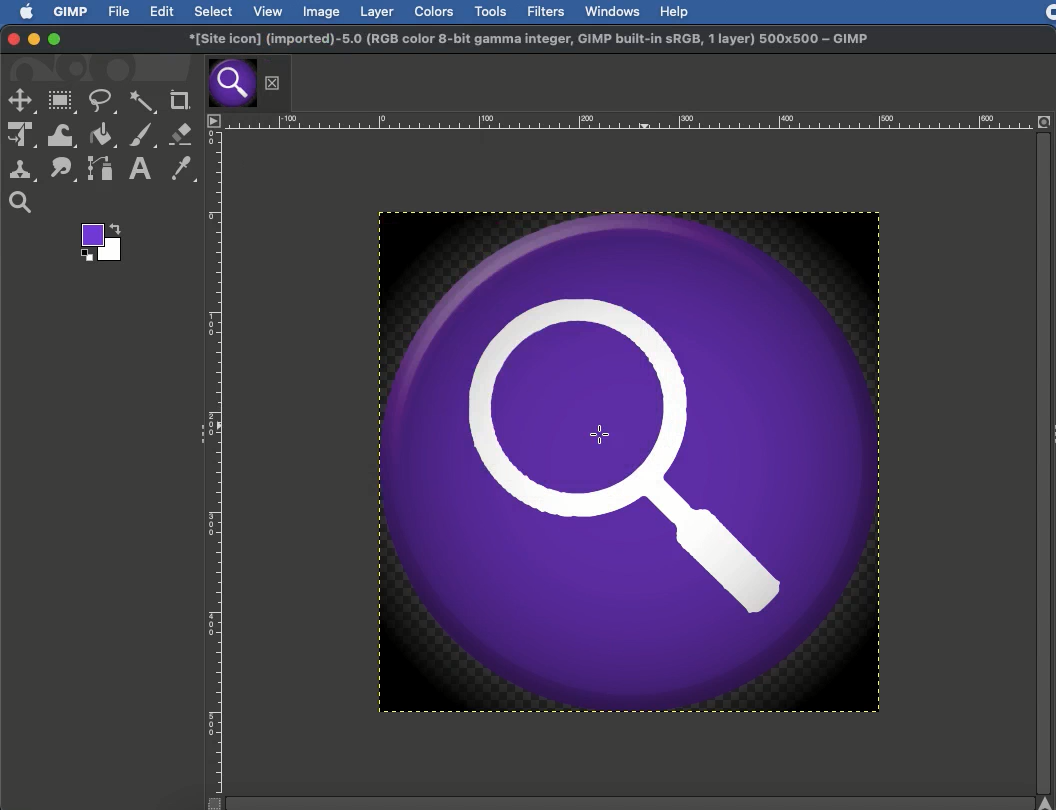 The width and height of the screenshot is (1056, 810). I want to click on Maximize, so click(53, 40).